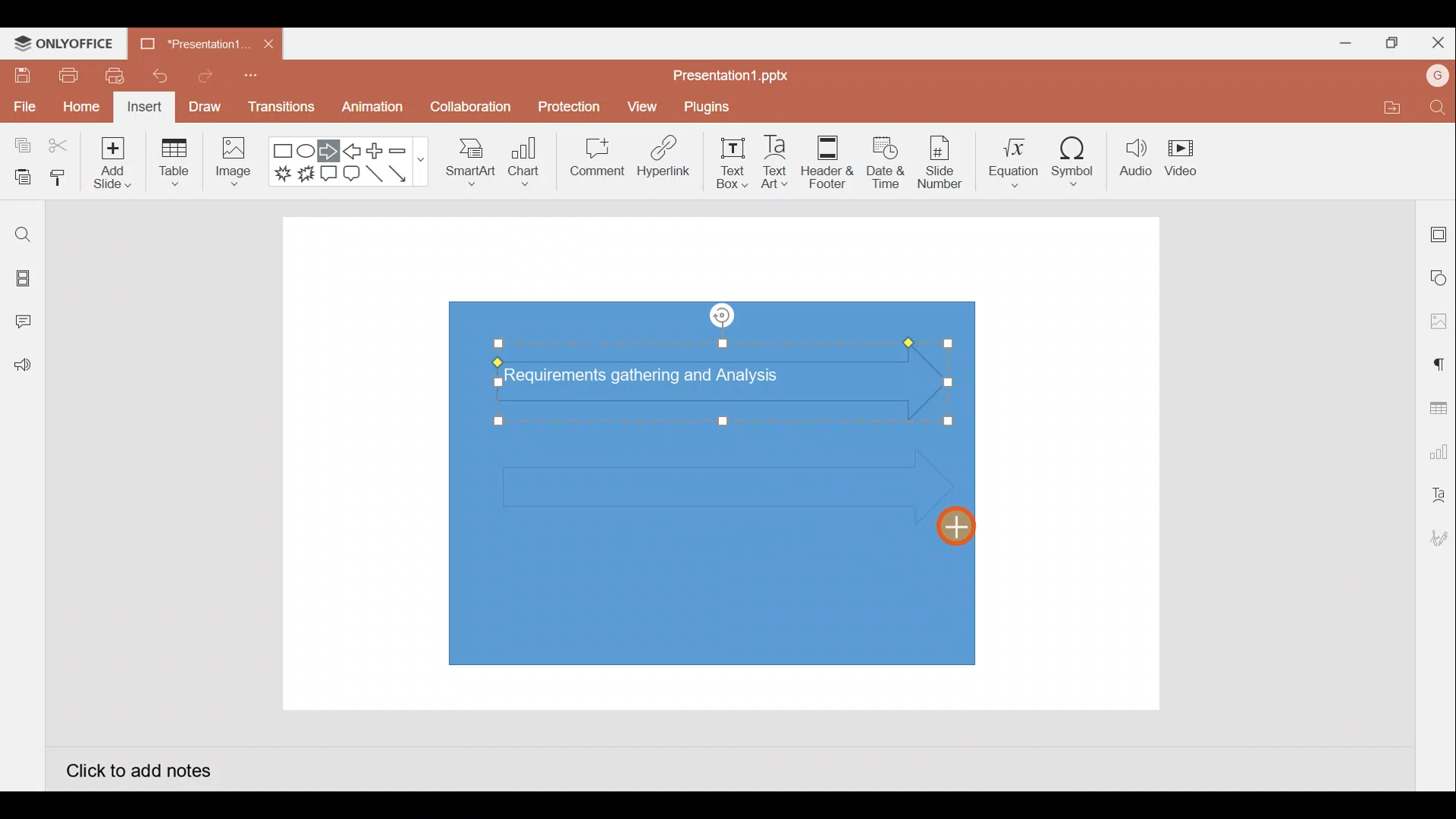  I want to click on Click to add notes, so click(138, 769).